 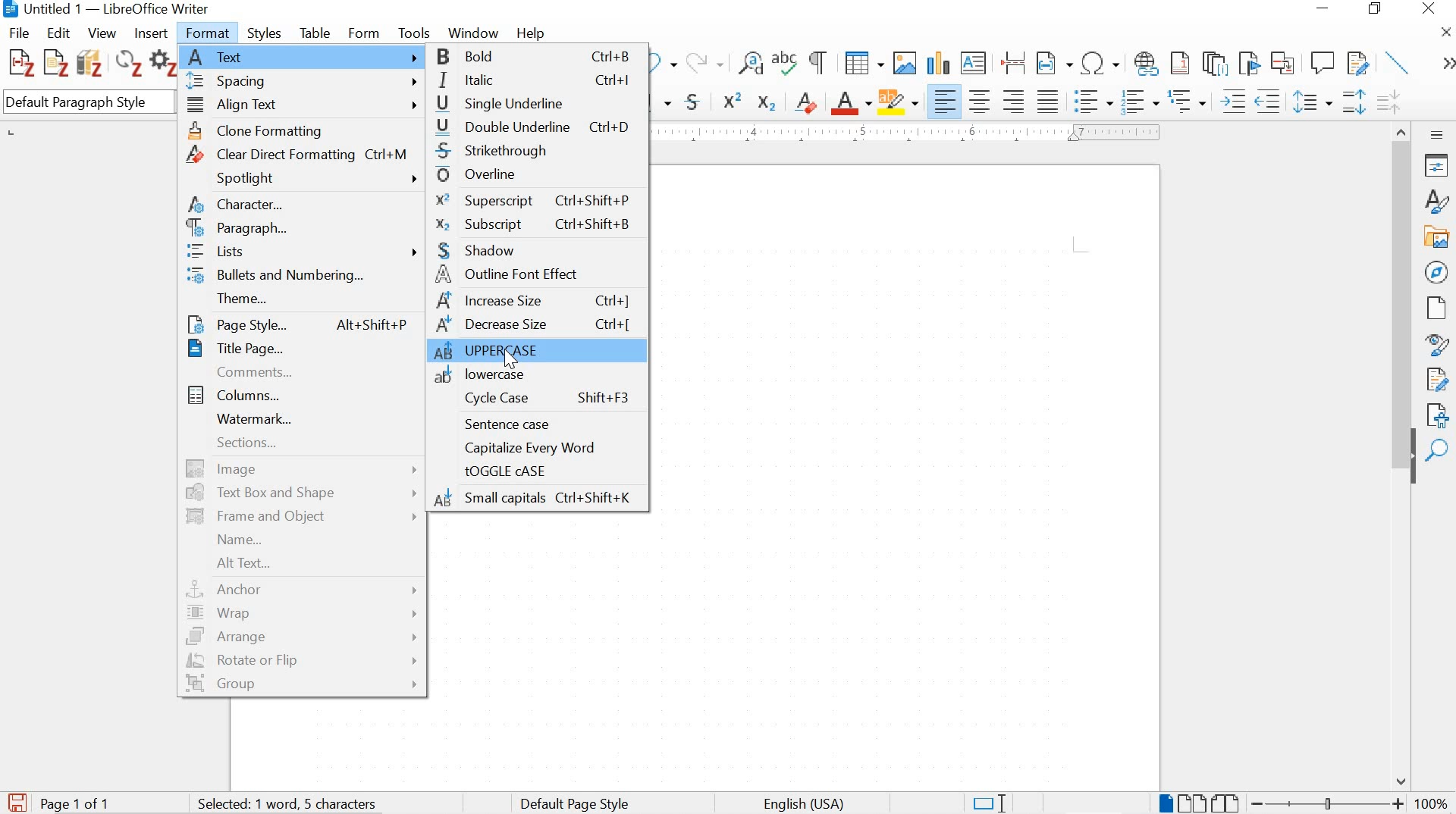 I want to click on image, so click(x=304, y=468).